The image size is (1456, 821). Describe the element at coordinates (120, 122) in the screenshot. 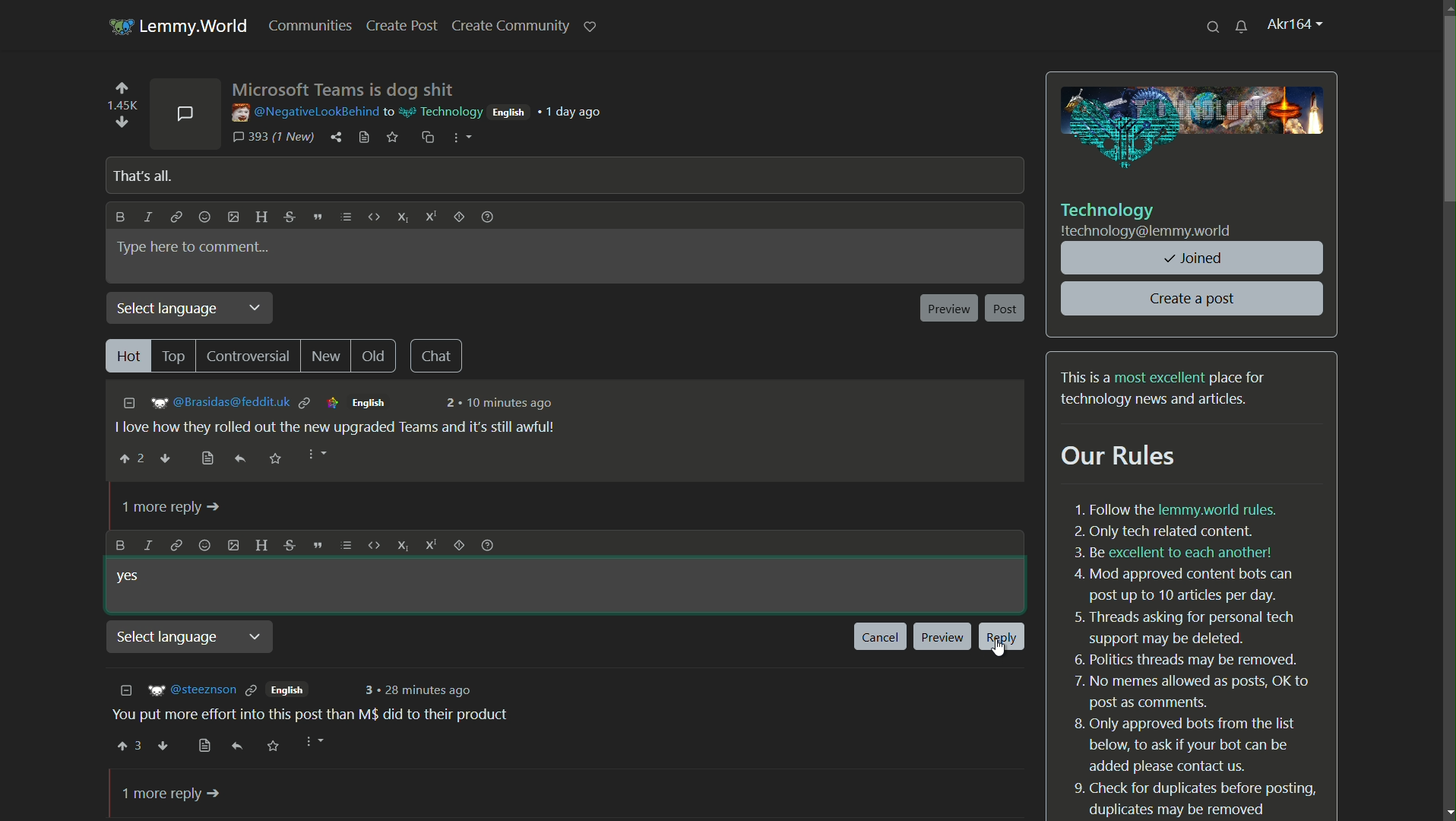

I see `downvote` at that location.